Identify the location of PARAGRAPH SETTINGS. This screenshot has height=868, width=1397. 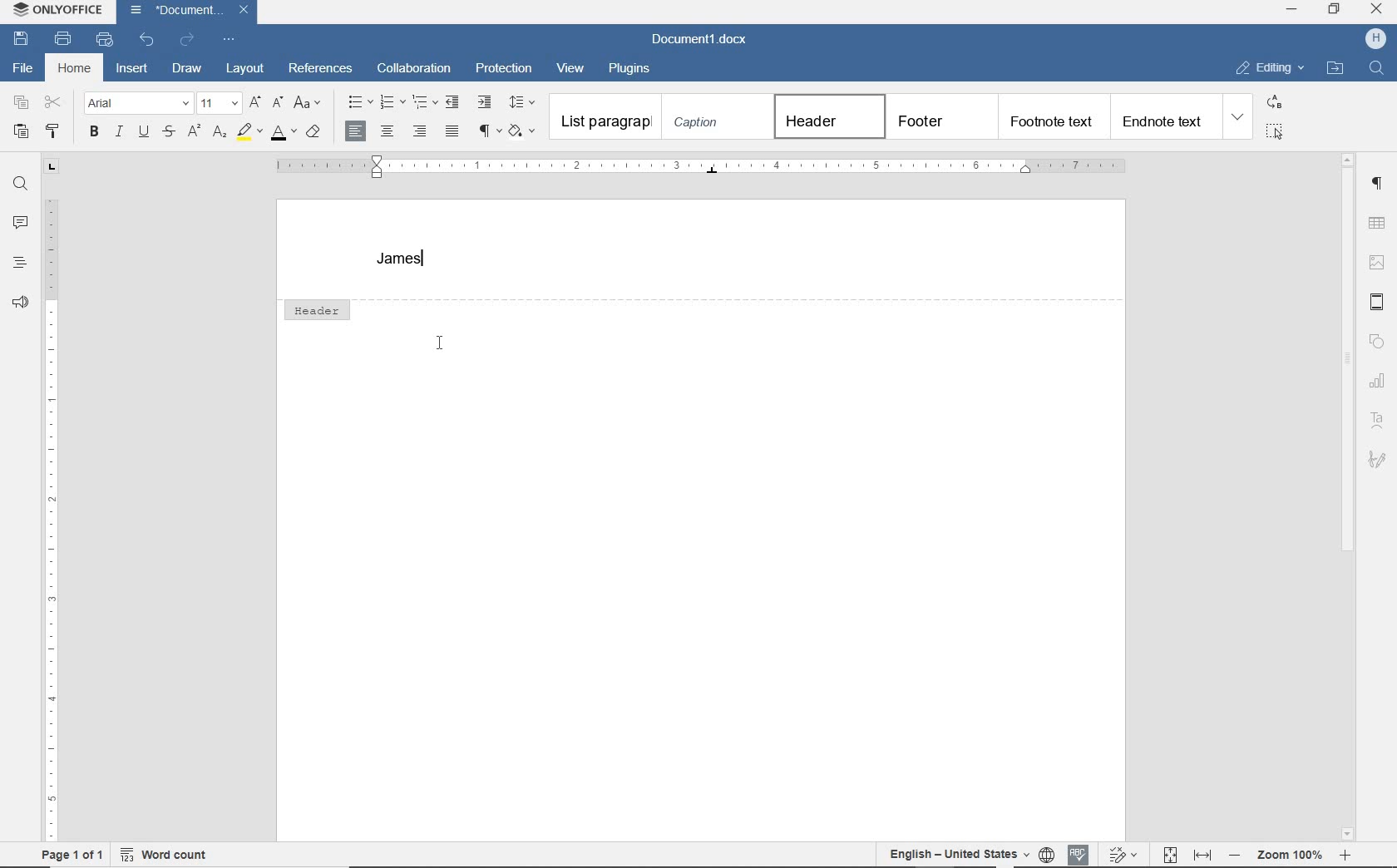
(1379, 184).